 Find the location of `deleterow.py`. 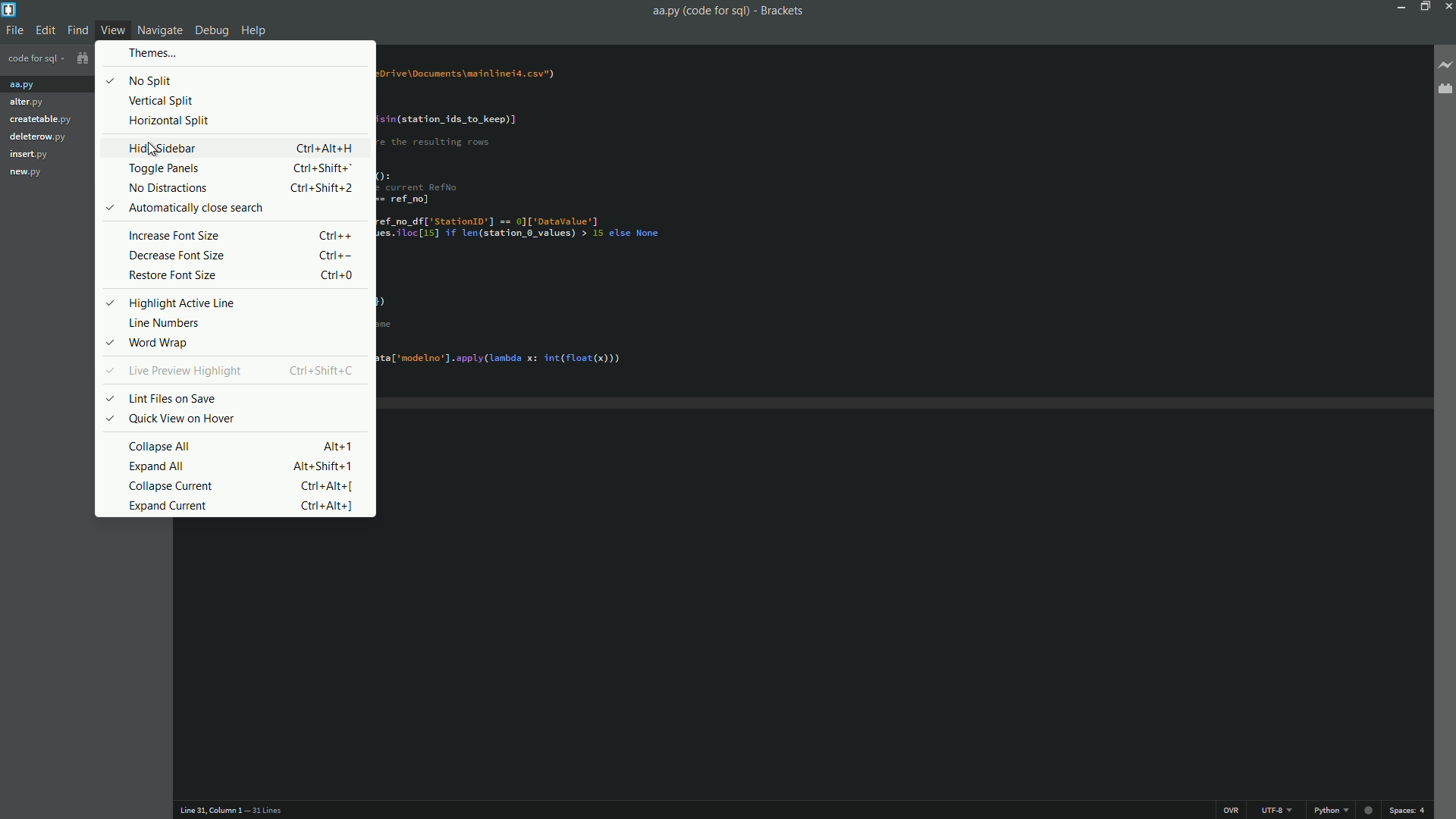

deleterow.py is located at coordinates (39, 136).